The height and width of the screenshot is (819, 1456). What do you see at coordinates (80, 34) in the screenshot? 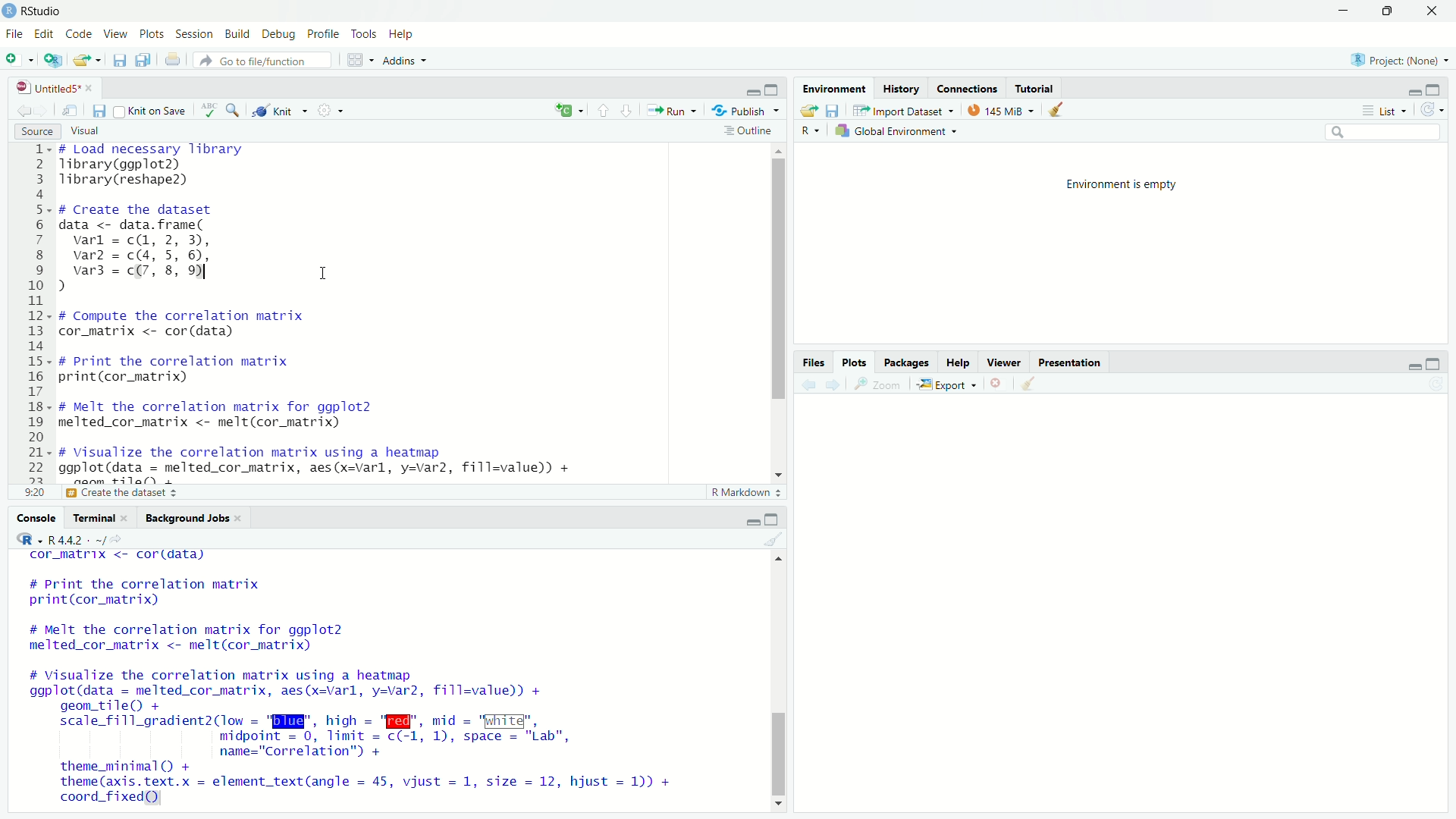
I see `code` at bounding box center [80, 34].